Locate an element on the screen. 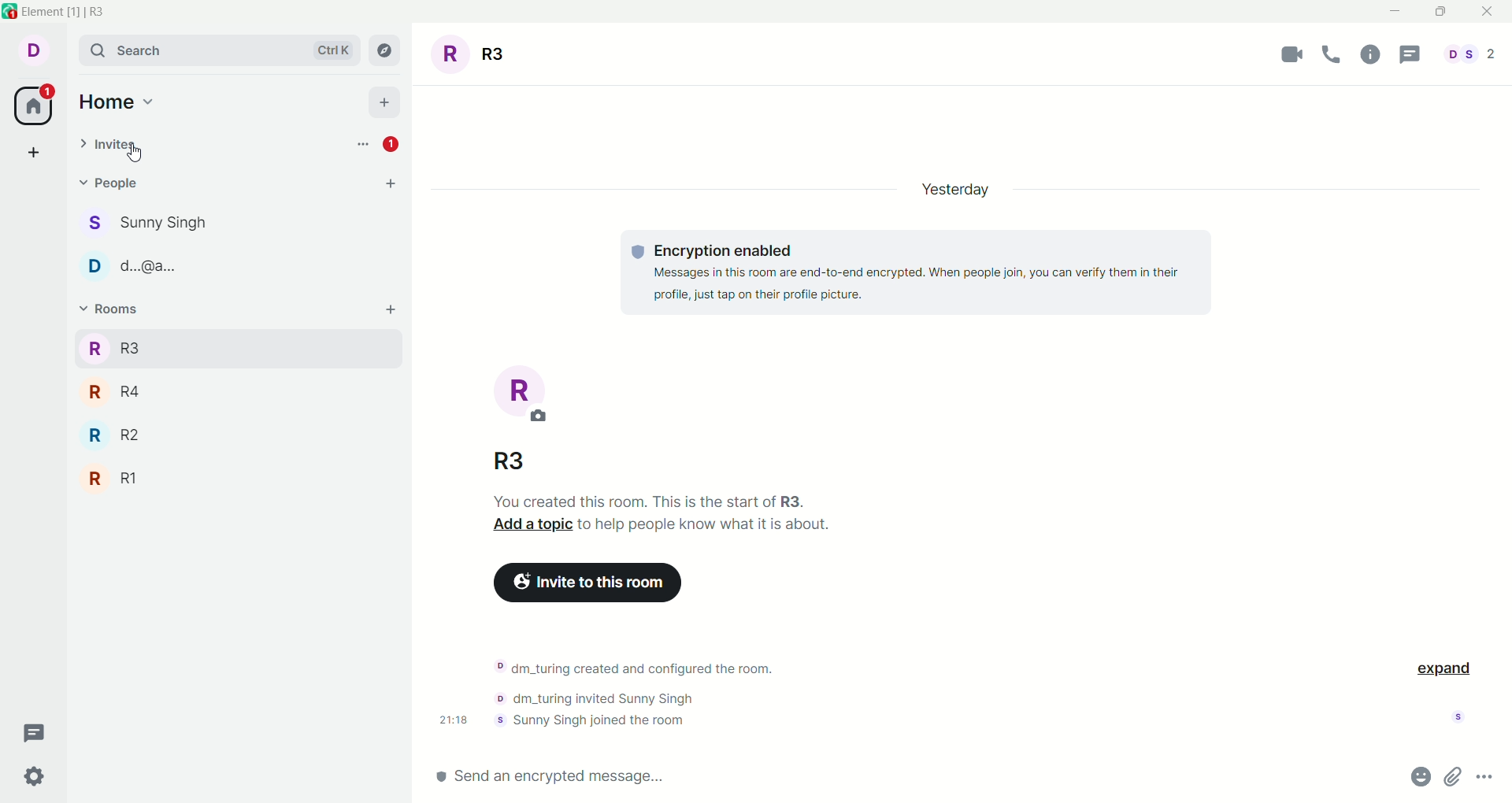  invite is located at coordinates (110, 145).